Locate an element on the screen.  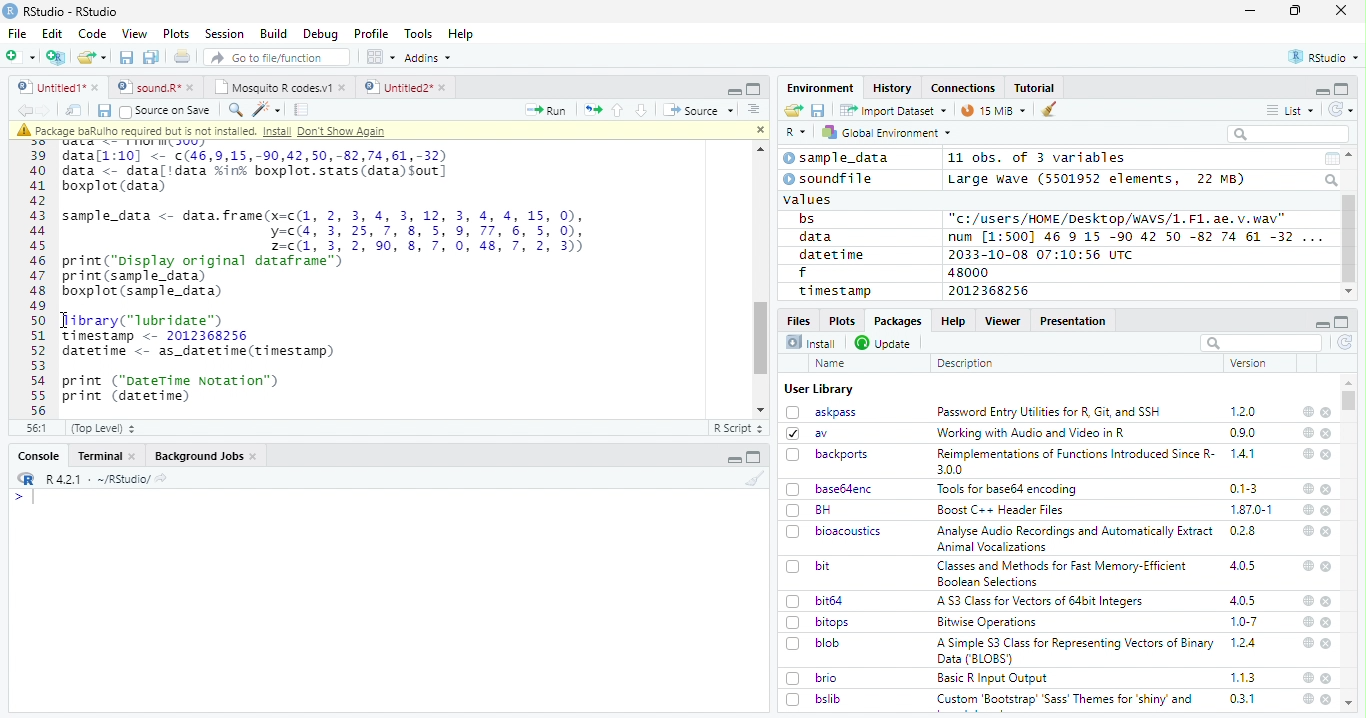
0.1-3 is located at coordinates (1247, 488).